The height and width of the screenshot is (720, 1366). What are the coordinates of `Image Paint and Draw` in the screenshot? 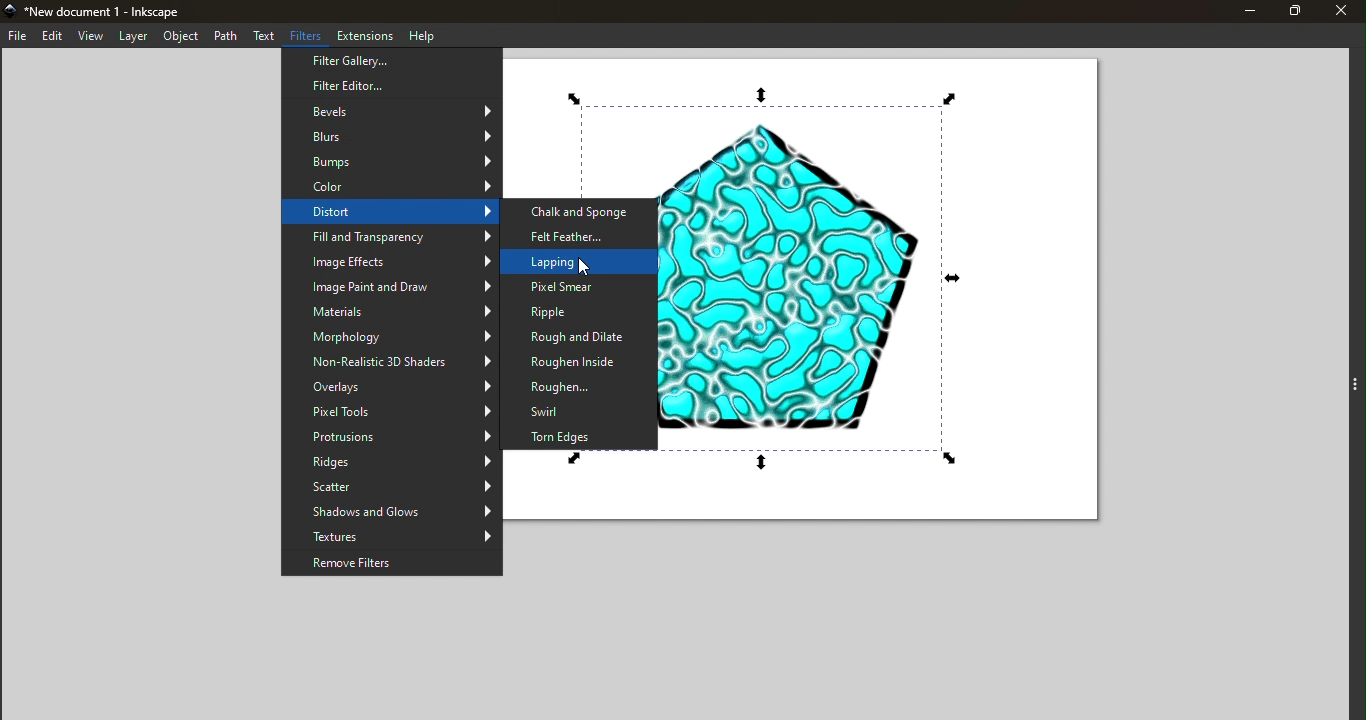 It's located at (392, 286).